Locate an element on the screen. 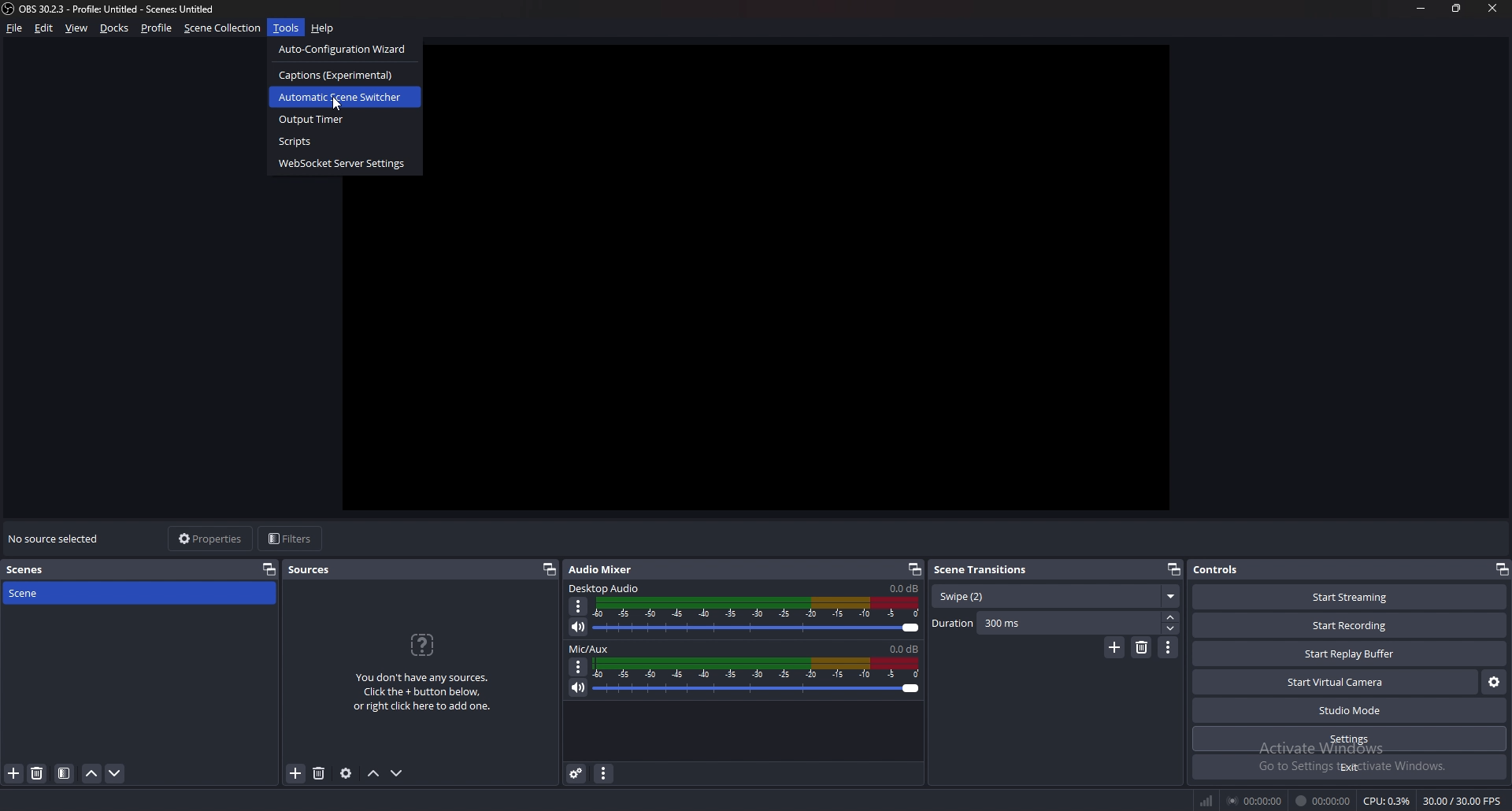 This screenshot has width=1512, height=811. websocket server settings is located at coordinates (345, 163).